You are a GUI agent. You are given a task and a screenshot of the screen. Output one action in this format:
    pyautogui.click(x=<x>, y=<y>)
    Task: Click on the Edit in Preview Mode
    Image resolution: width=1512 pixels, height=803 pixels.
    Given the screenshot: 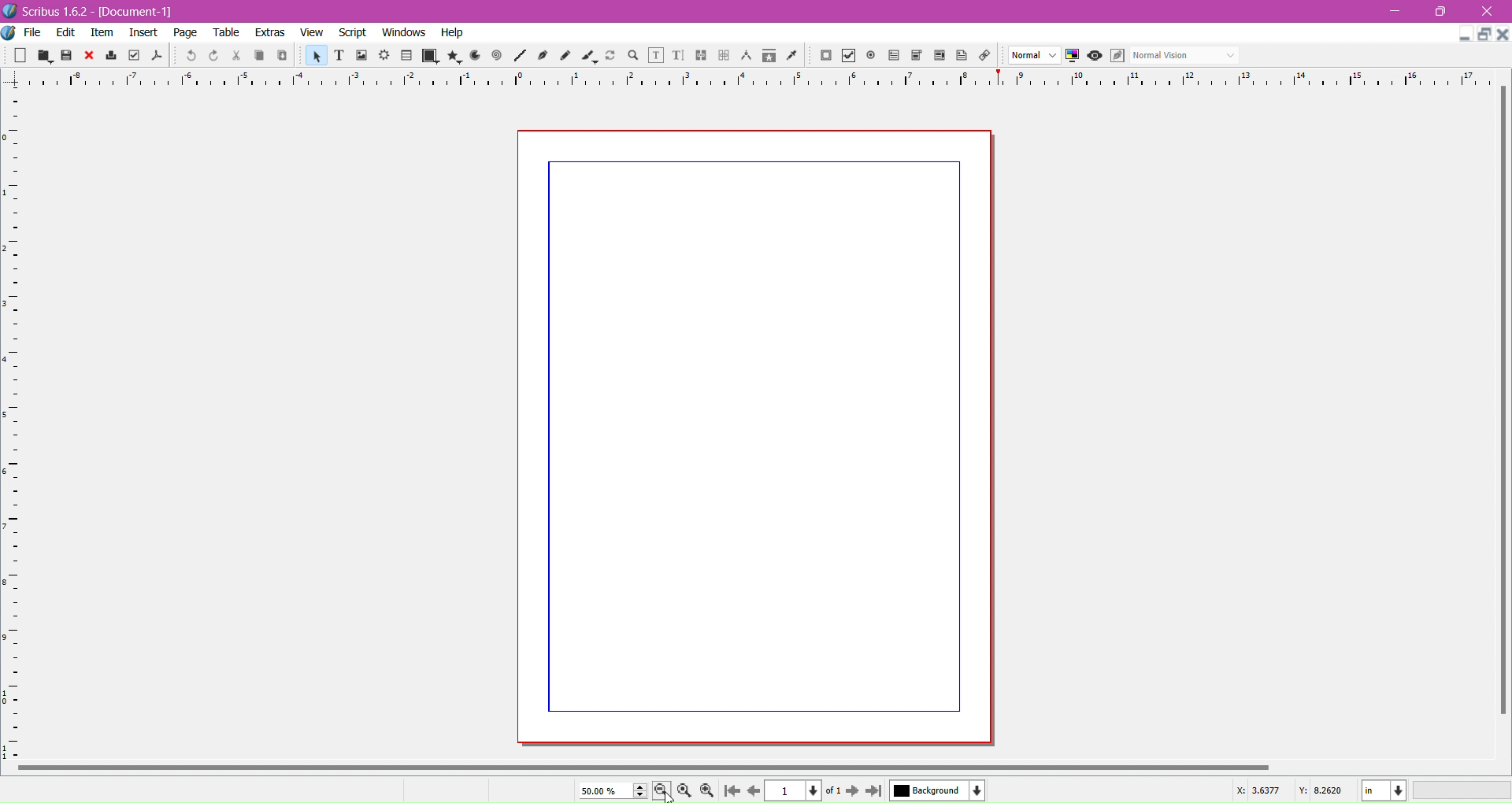 What is the action you would take?
    pyautogui.click(x=1116, y=57)
    